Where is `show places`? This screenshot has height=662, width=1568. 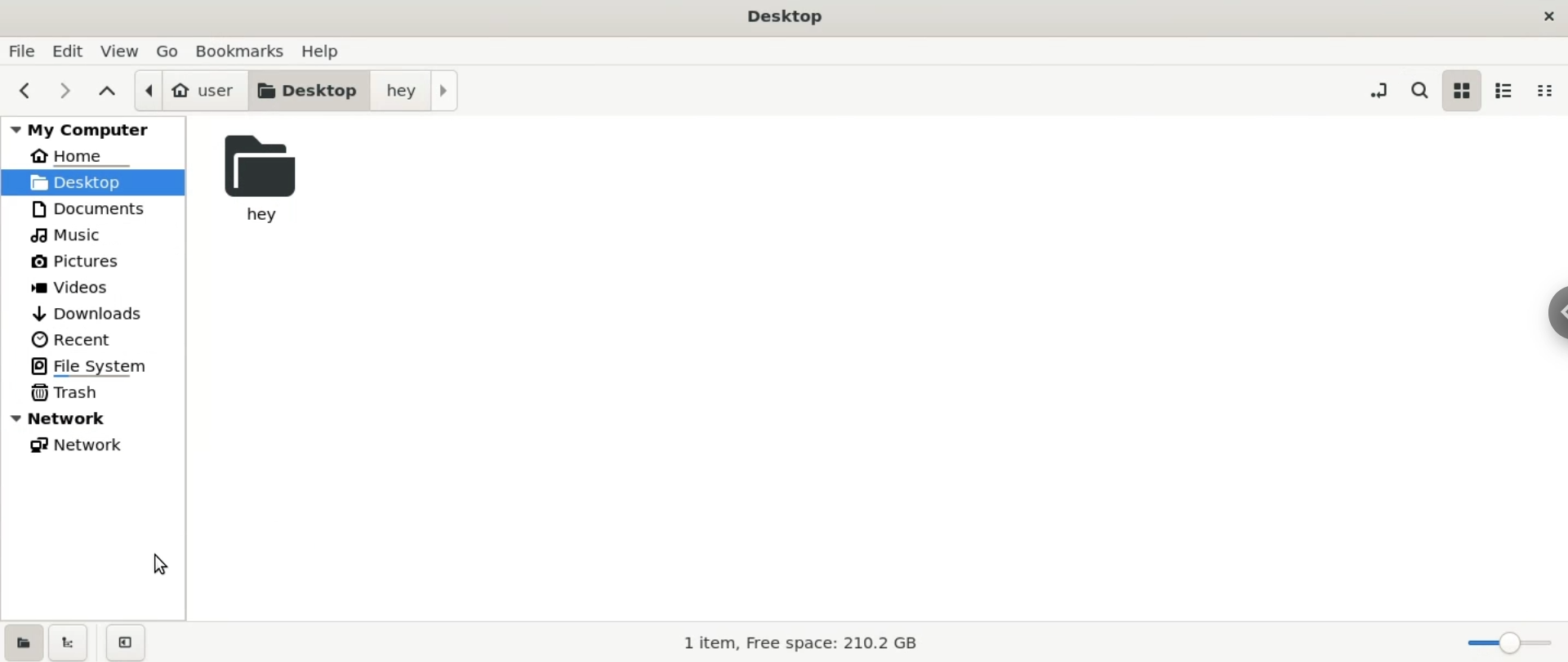 show places is located at coordinates (21, 641).